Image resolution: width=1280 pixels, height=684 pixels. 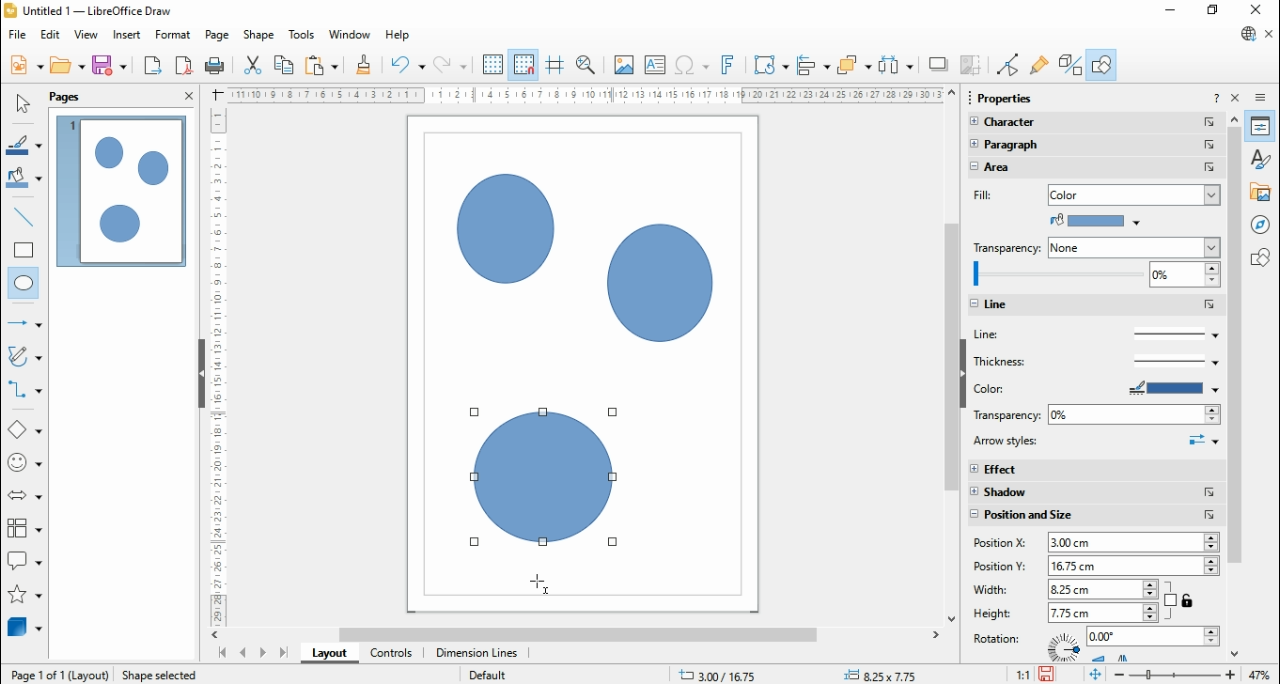 I want to click on arrow styles, so click(x=1096, y=442).